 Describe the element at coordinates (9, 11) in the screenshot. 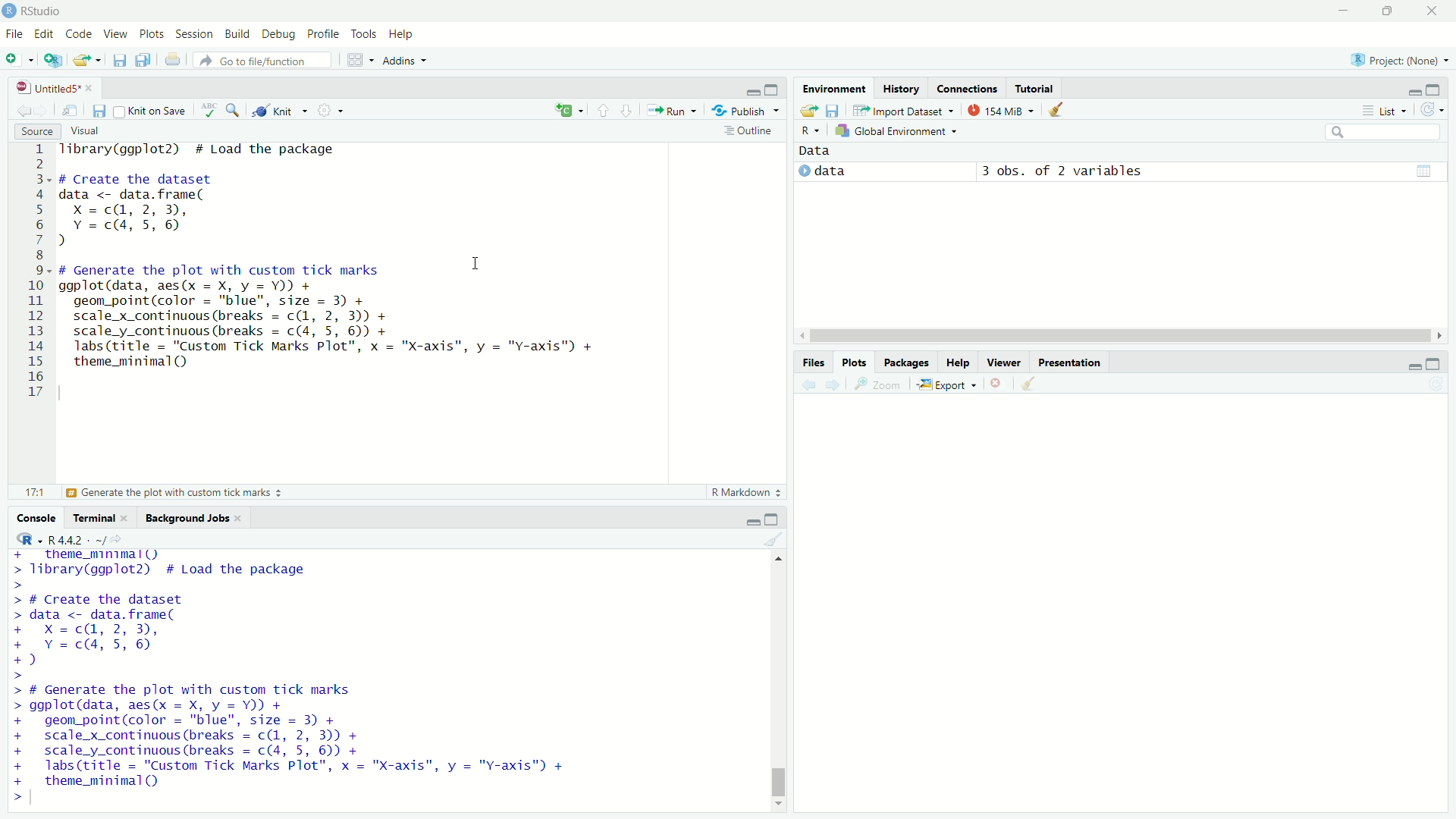

I see `logo` at that location.